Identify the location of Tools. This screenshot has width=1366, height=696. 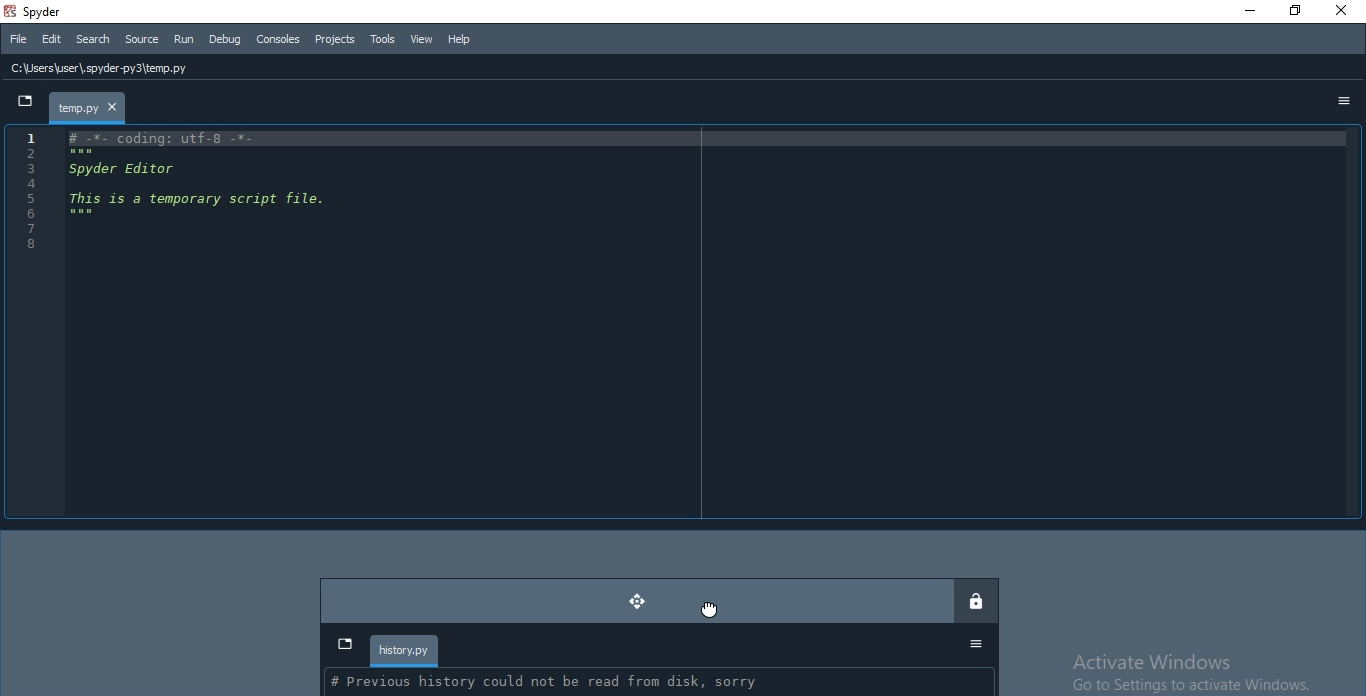
(379, 38).